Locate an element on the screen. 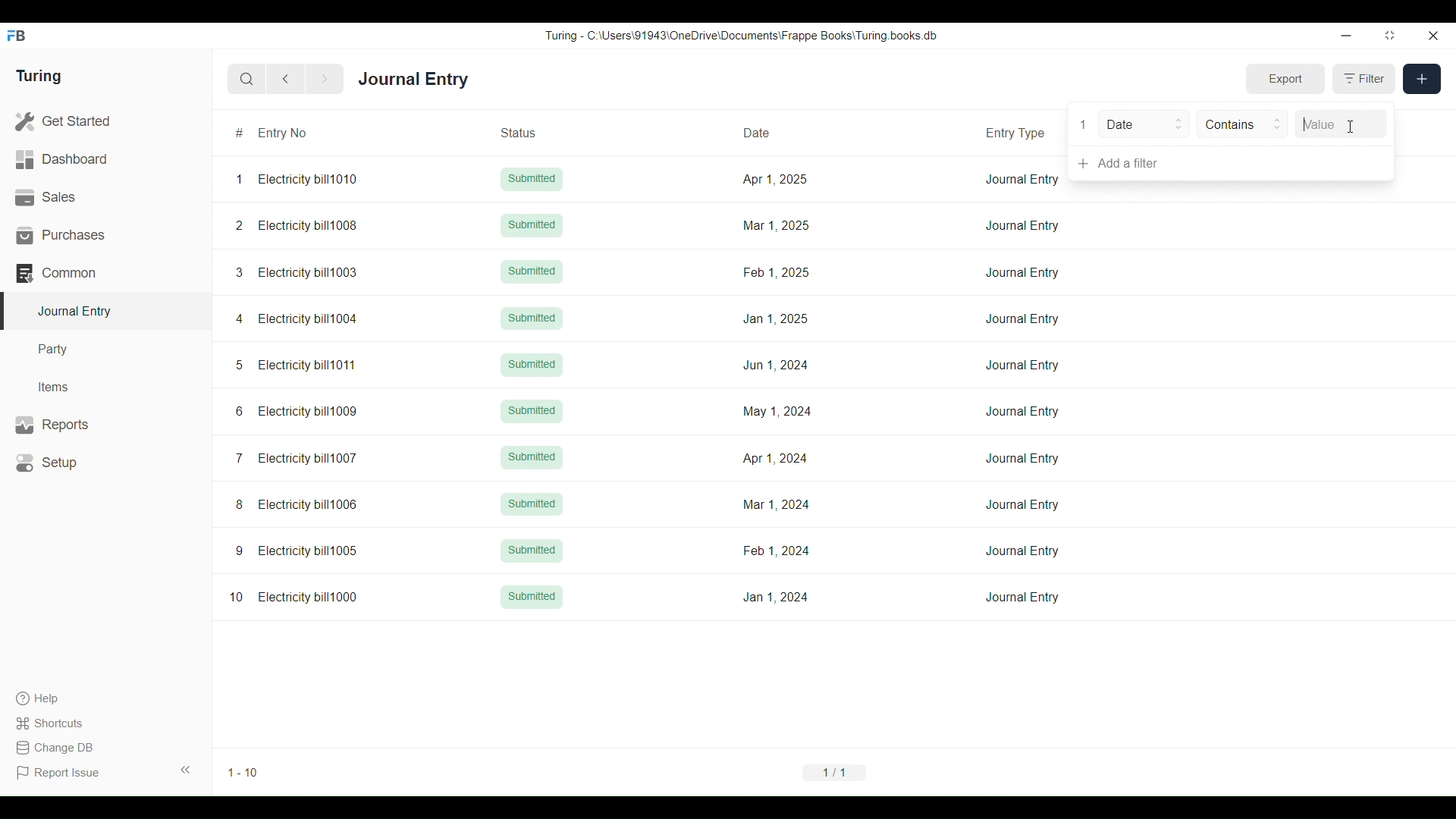  Close is located at coordinates (1433, 36).